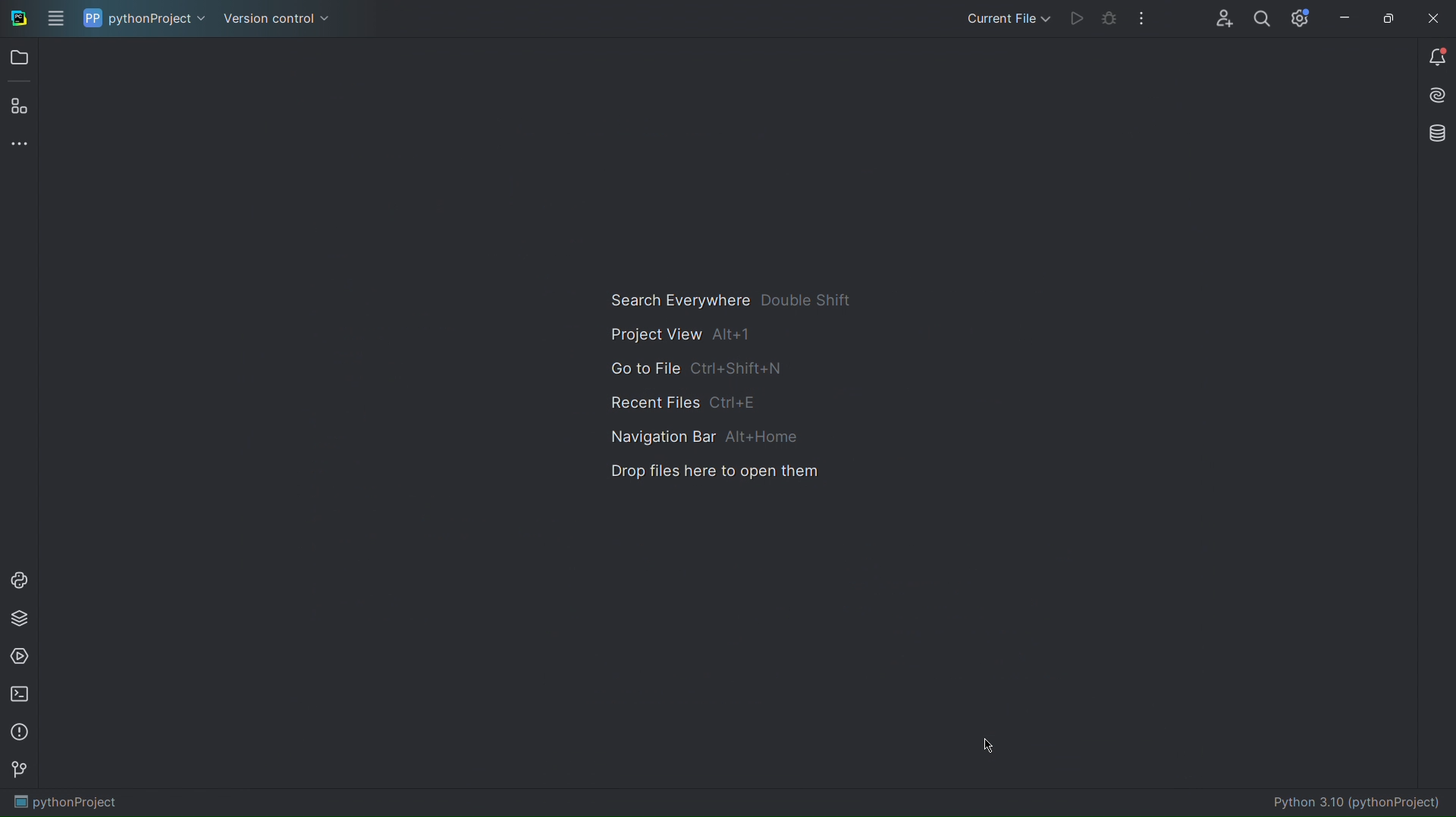 The height and width of the screenshot is (817, 1456). Describe the element at coordinates (684, 401) in the screenshot. I see `Recent Files` at that location.